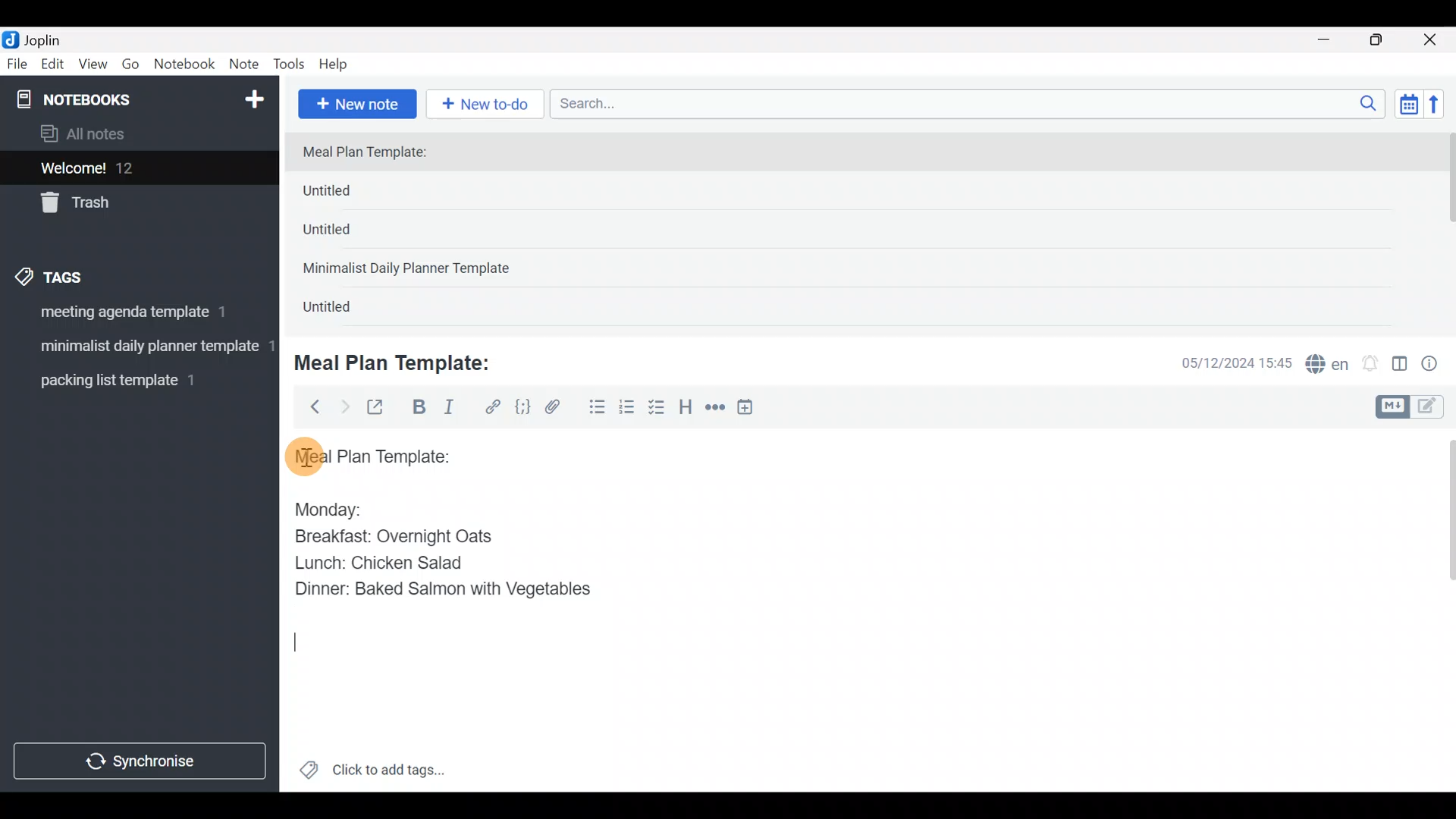 The width and height of the screenshot is (1456, 819). What do you see at coordinates (18, 64) in the screenshot?
I see `File` at bounding box center [18, 64].